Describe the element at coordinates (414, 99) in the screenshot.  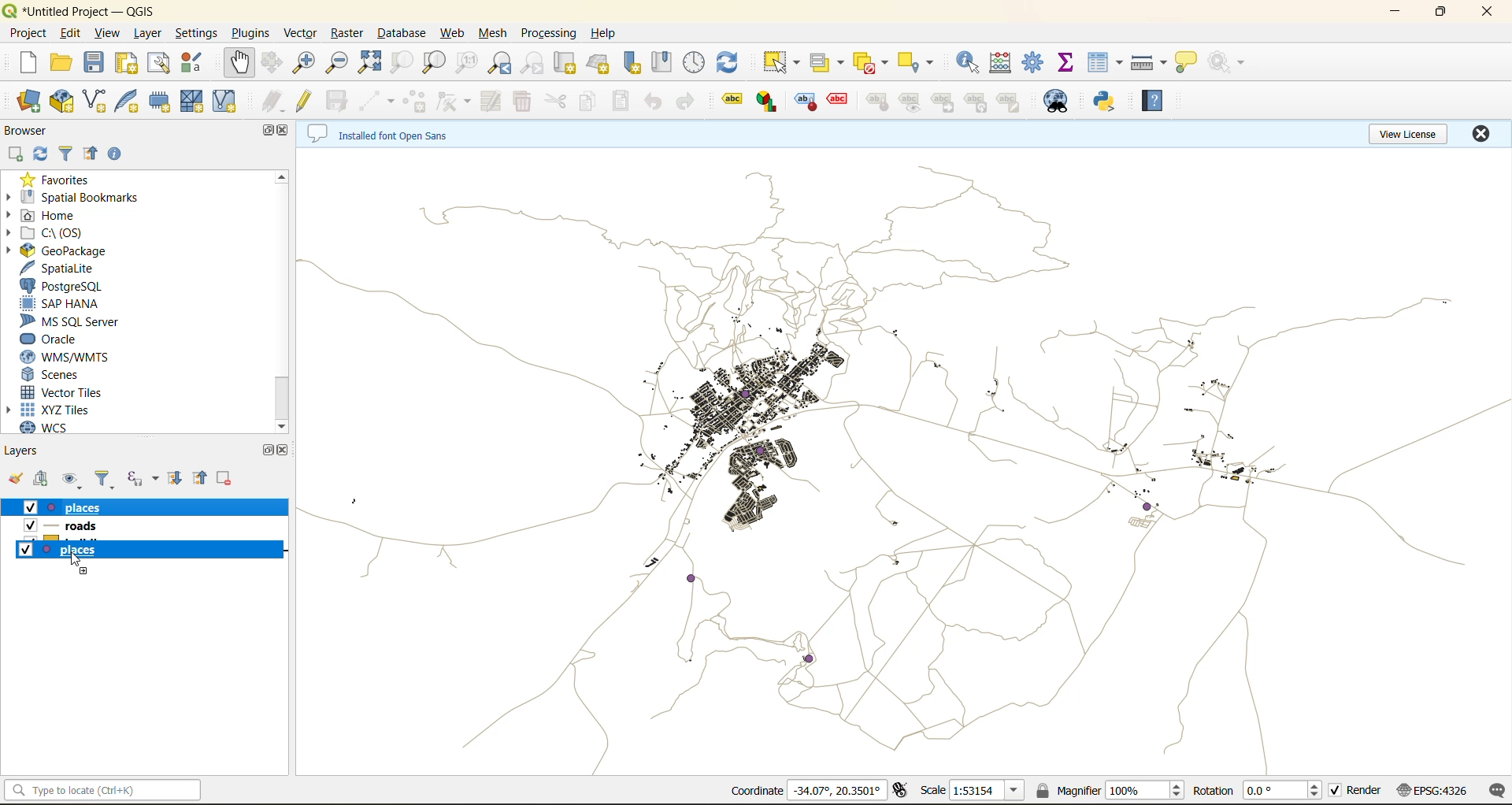
I see `add polygon` at that location.